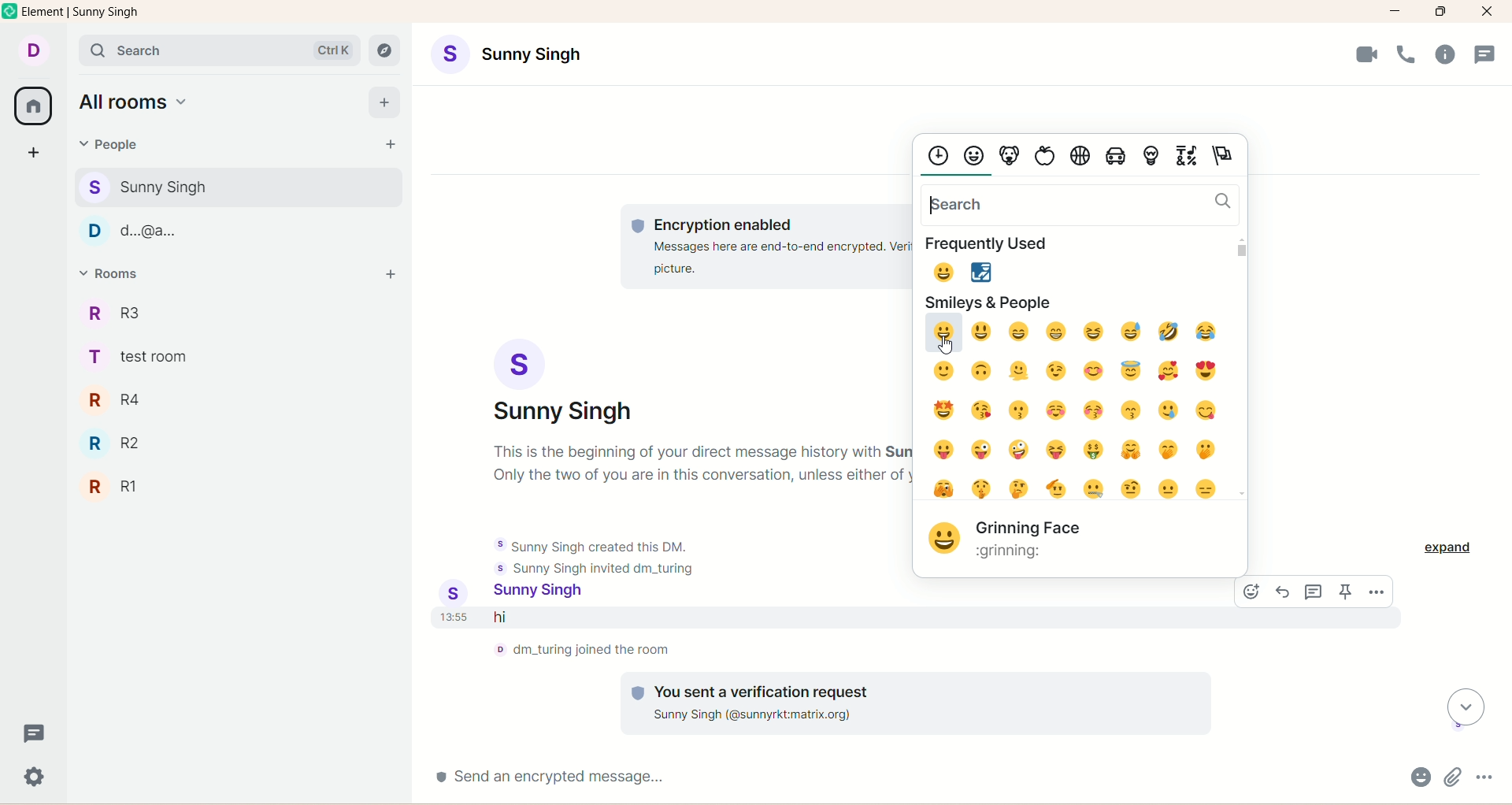  What do you see at coordinates (1206, 489) in the screenshot?
I see `Expressionless face` at bounding box center [1206, 489].